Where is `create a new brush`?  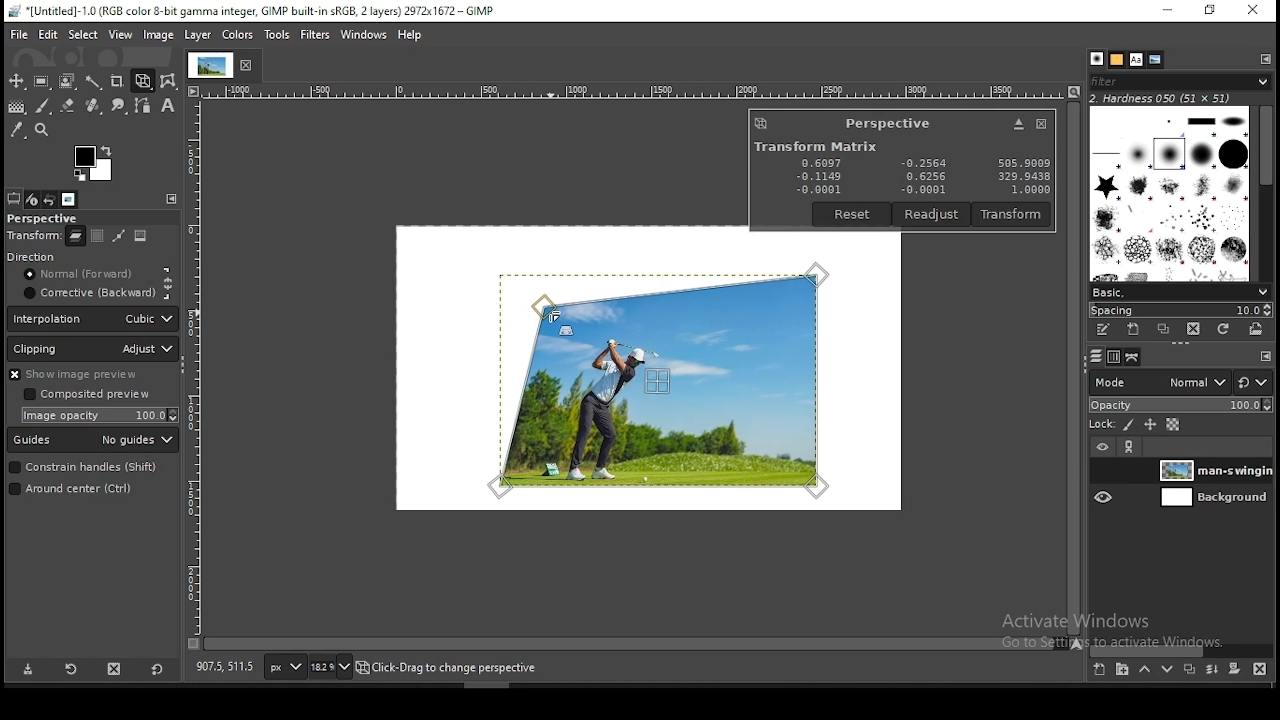 create a new brush is located at coordinates (1132, 330).